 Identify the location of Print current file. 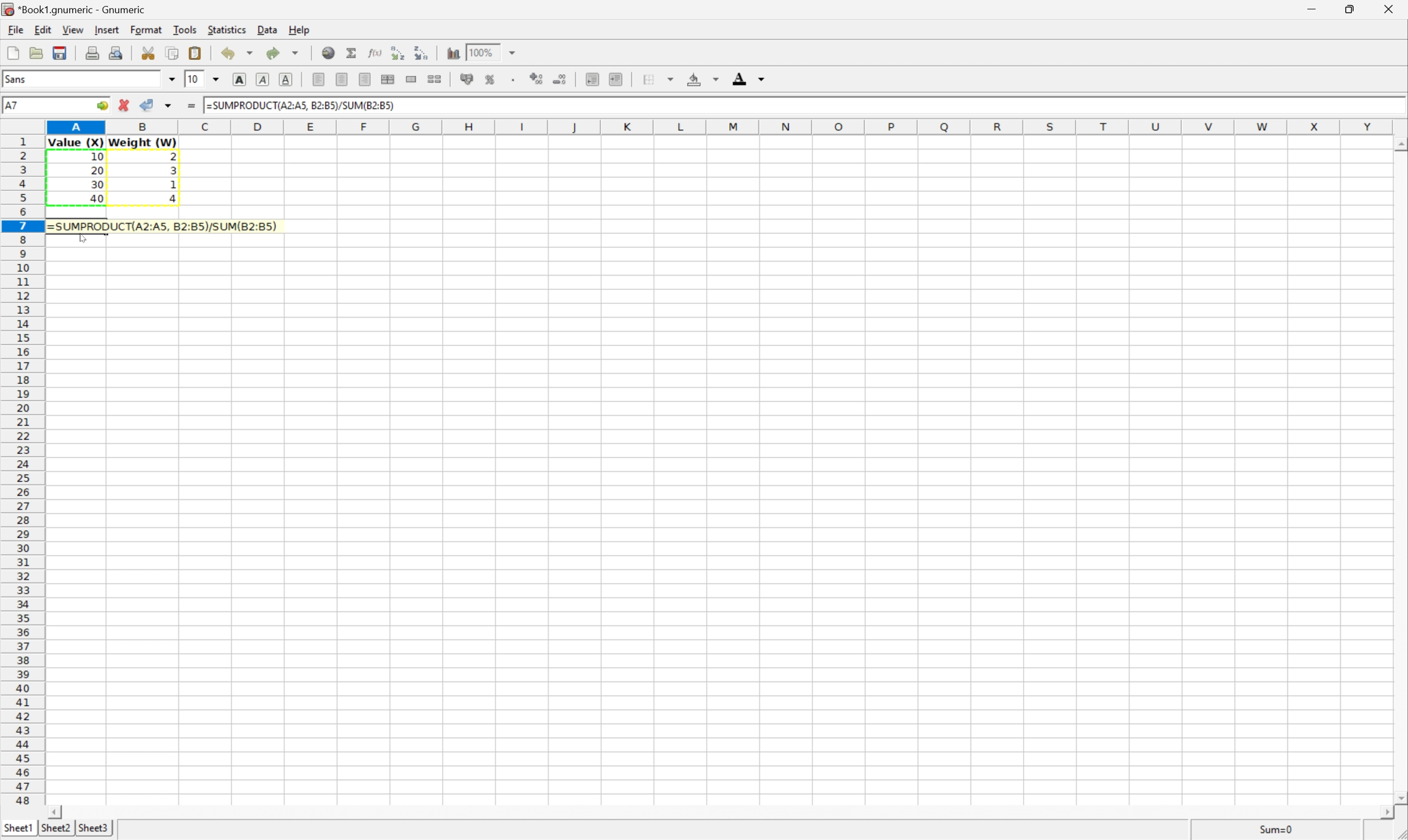
(93, 53).